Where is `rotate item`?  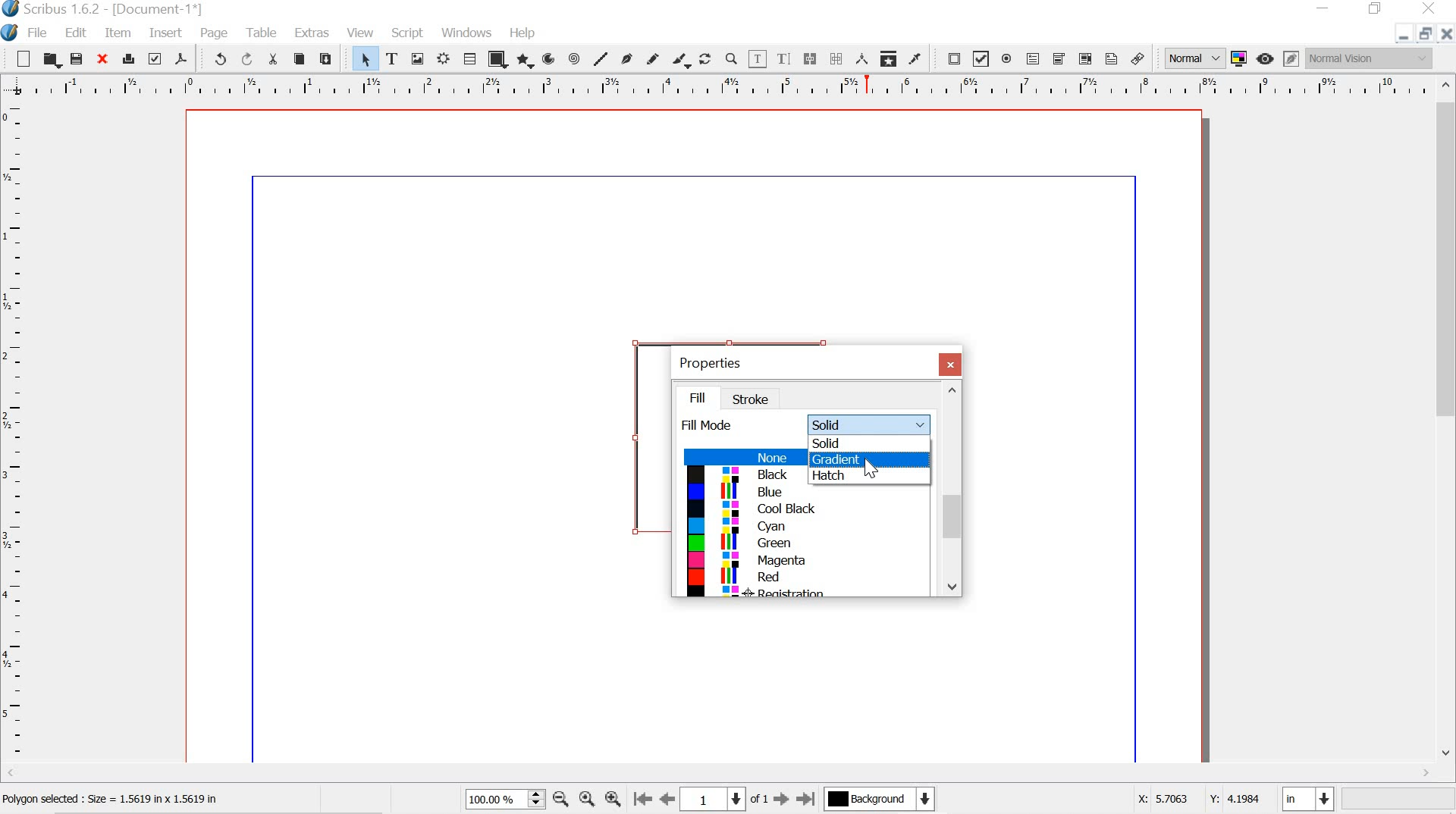 rotate item is located at coordinates (705, 58).